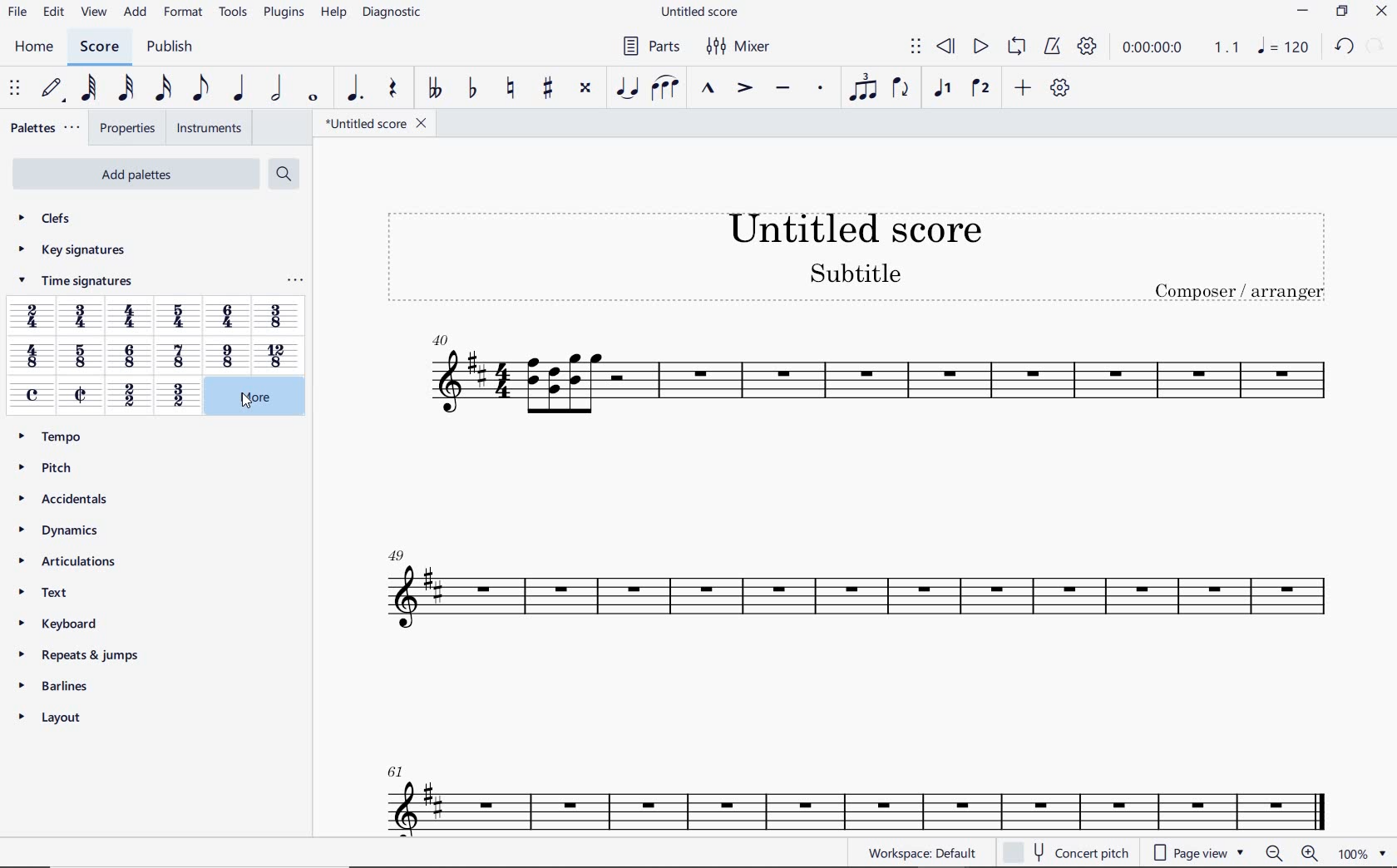 The width and height of the screenshot is (1397, 868). What do you see at coordinates (72, 250) in the screenshot?
I see `KEY SIGNATURES` at bounding box center [72, 250].